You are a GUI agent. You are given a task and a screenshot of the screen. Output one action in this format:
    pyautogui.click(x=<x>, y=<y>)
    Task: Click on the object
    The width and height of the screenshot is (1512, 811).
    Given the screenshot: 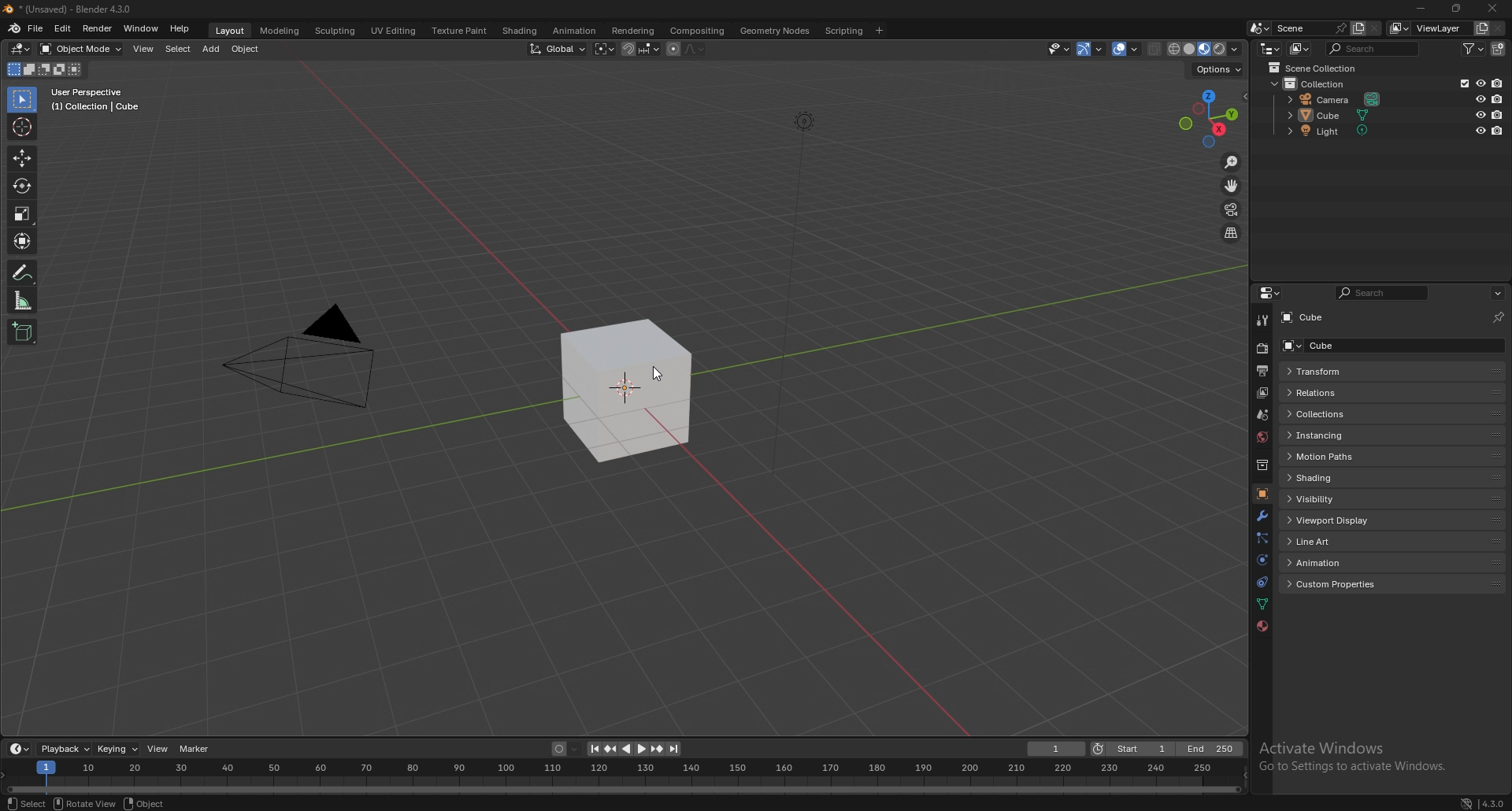 What is the action you would take?
    pyautogui.click(x=147, y=803)
    